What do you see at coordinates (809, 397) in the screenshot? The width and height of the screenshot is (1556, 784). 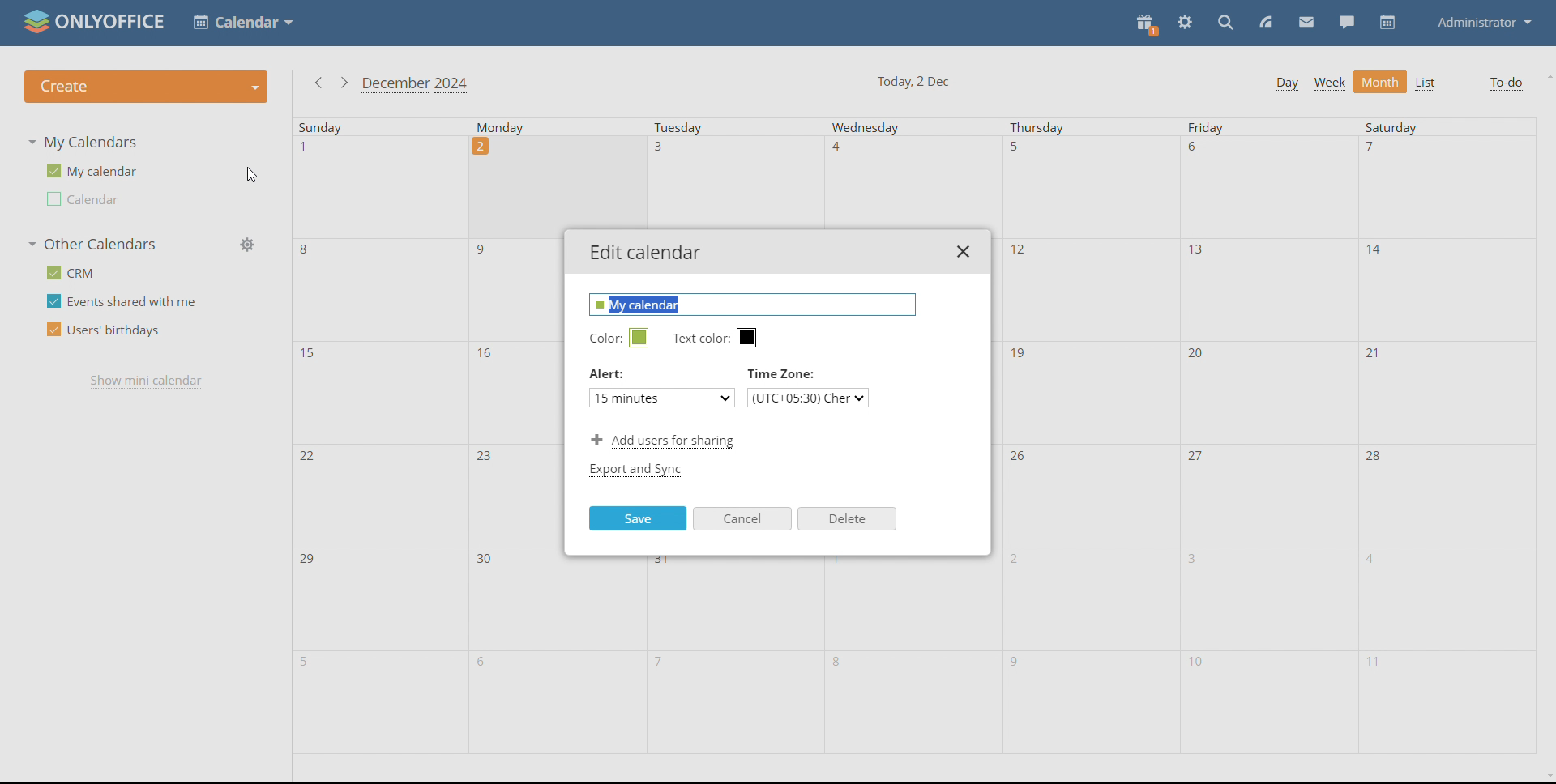 I see `select timezone` at bounding box center [809, 397].